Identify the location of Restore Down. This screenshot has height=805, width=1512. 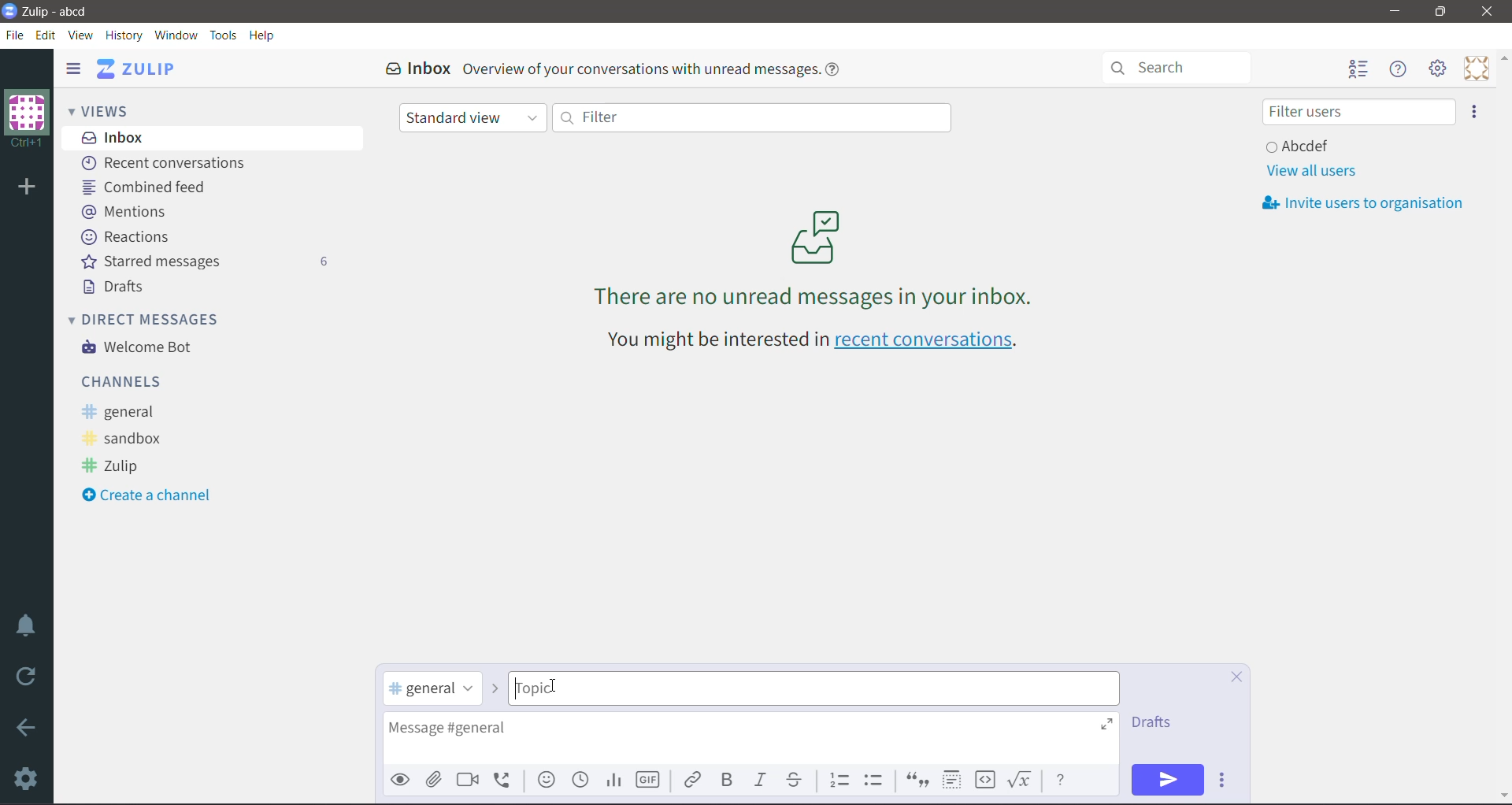
(1440, 12).